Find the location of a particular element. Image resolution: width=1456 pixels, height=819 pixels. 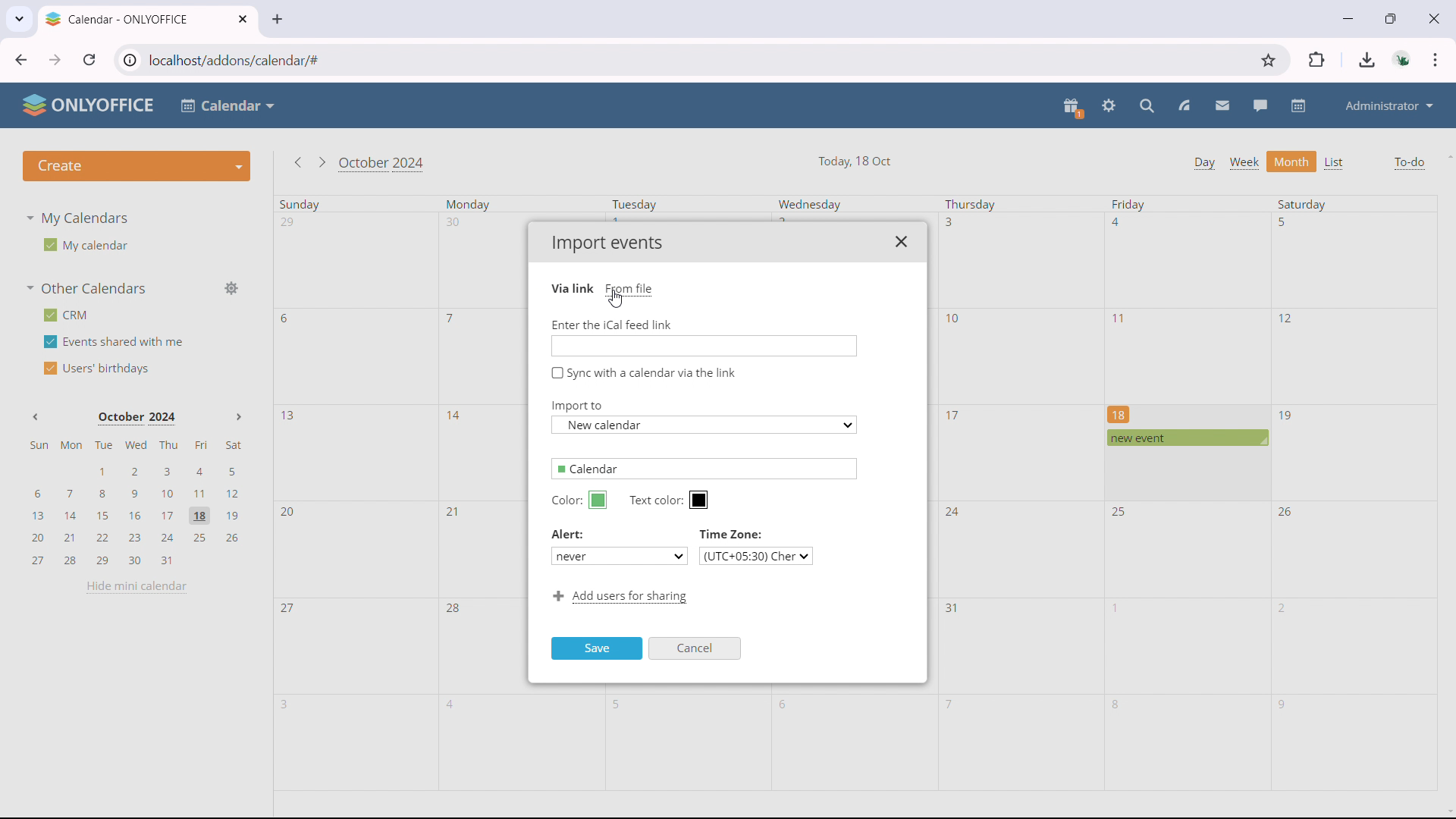

search is located at coordinates (1148, 106).